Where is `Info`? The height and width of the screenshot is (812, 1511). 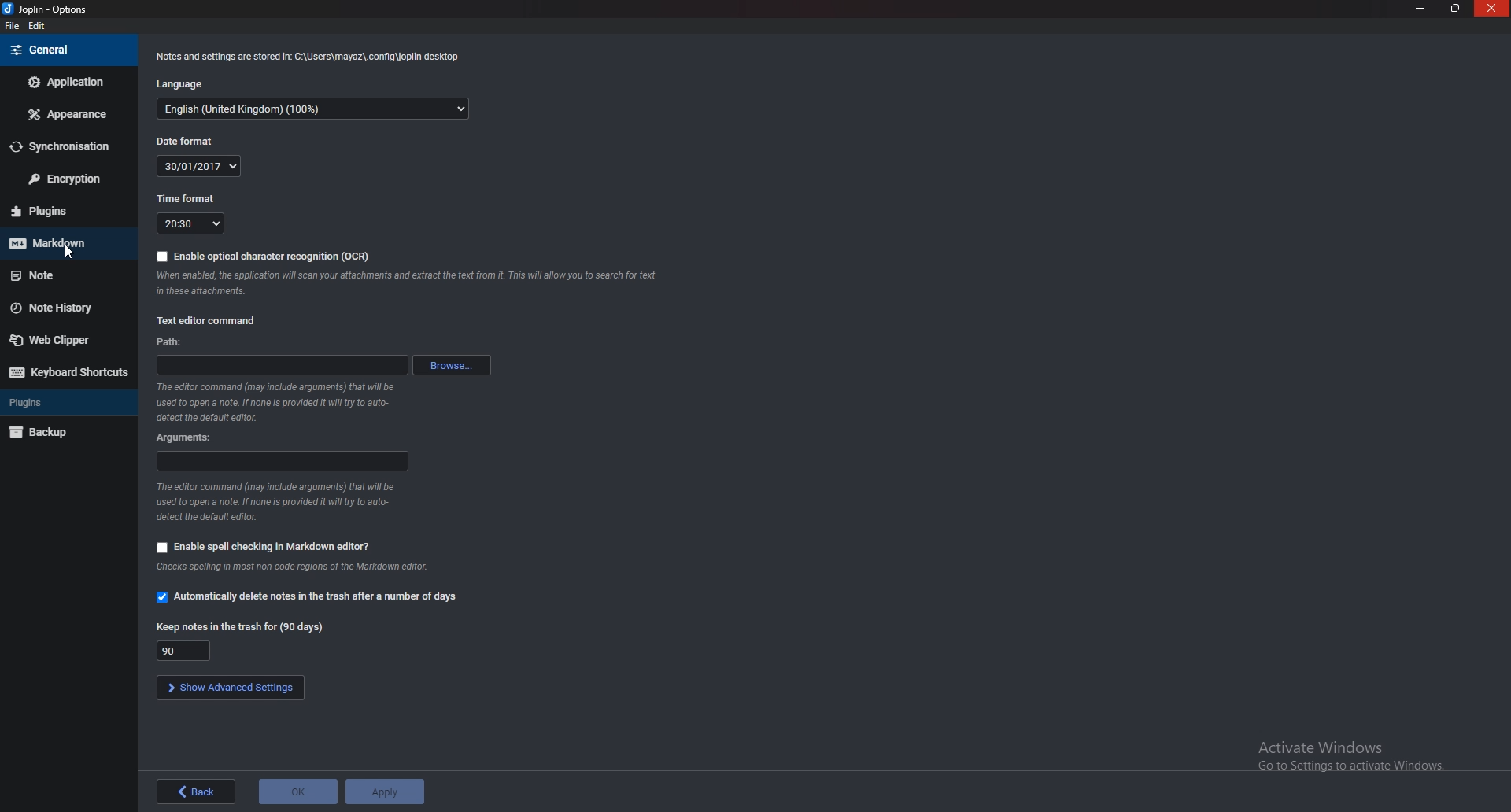 Info is located at coordinates (277, 503).